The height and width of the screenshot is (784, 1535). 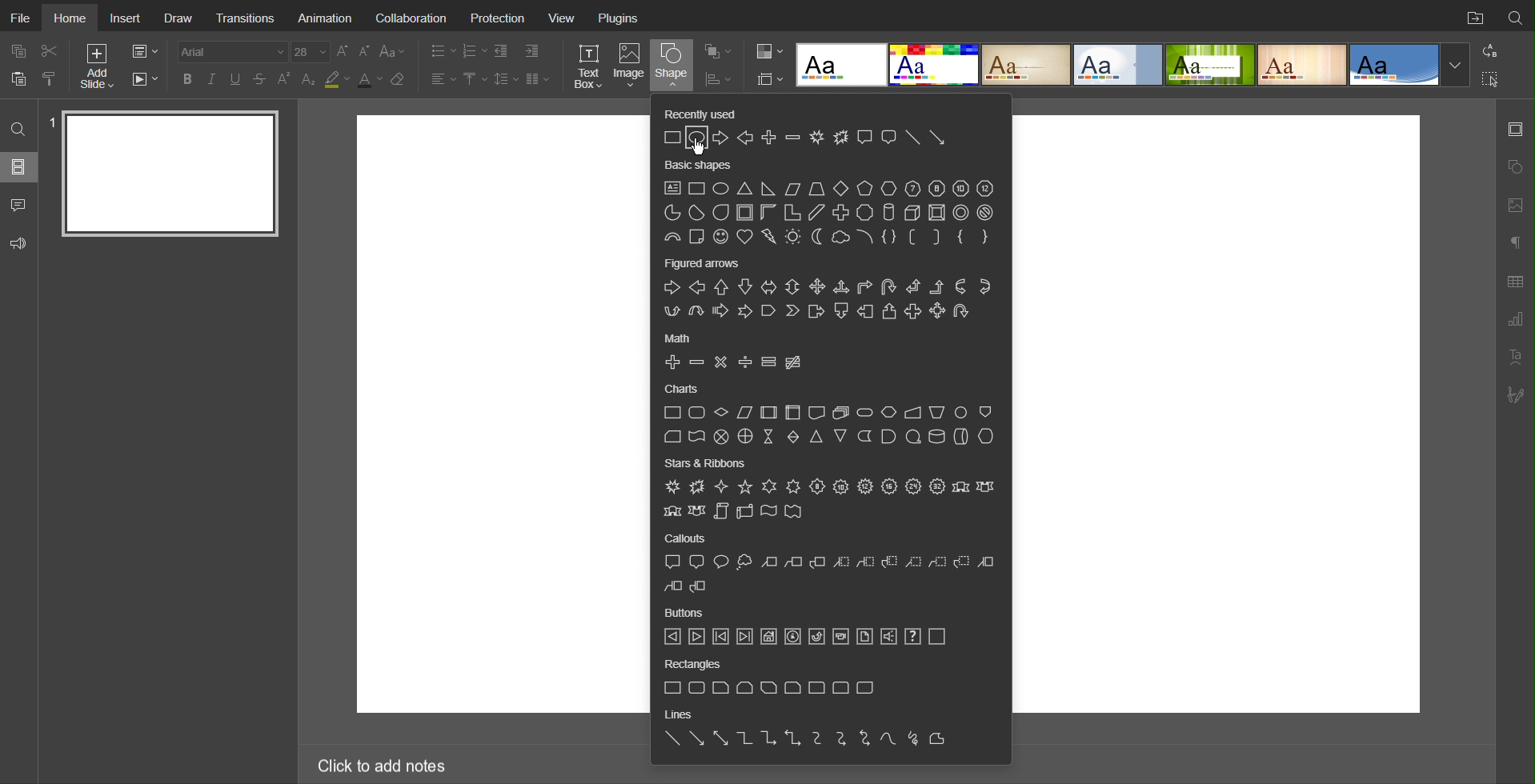 I want to click on Click to add notes, so click(x=380, y=762).